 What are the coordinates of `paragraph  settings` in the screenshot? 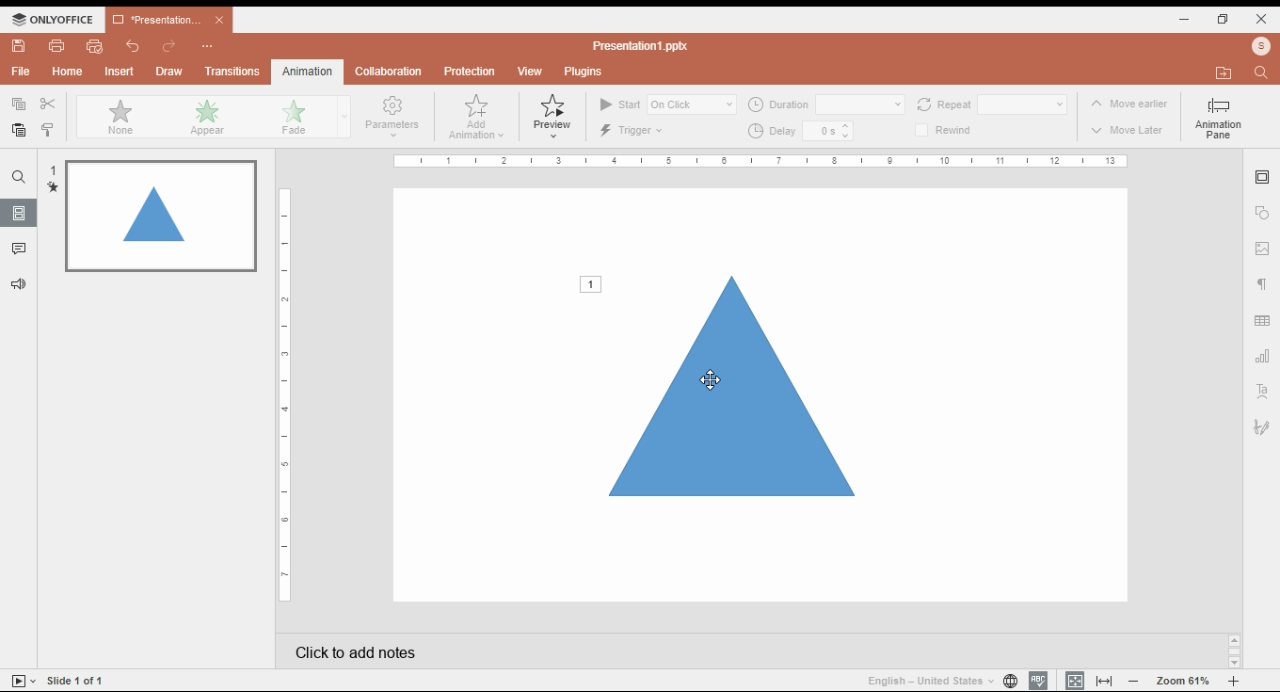 It's located at (1263, 283).